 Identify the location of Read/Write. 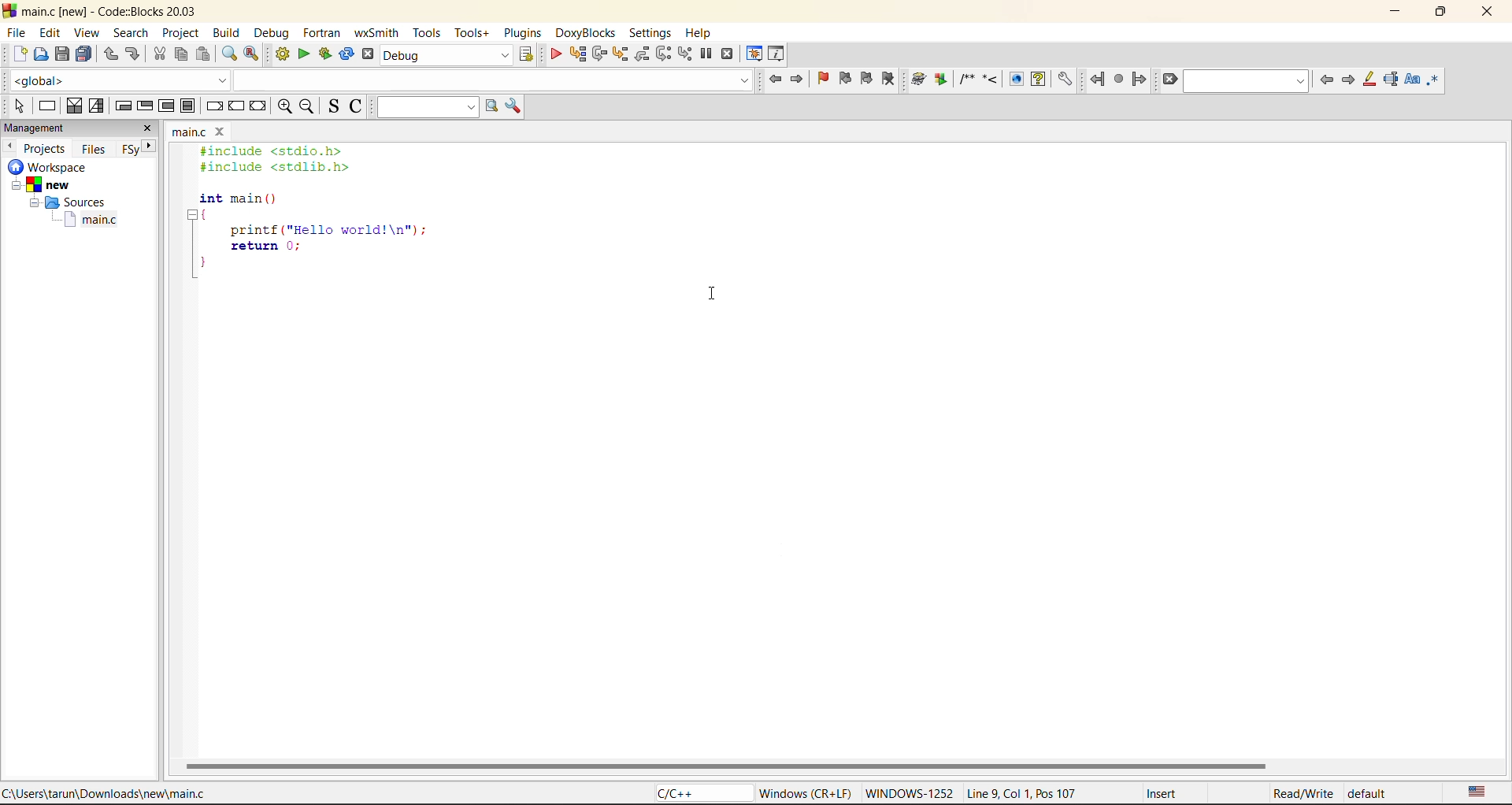
(1302, 794).